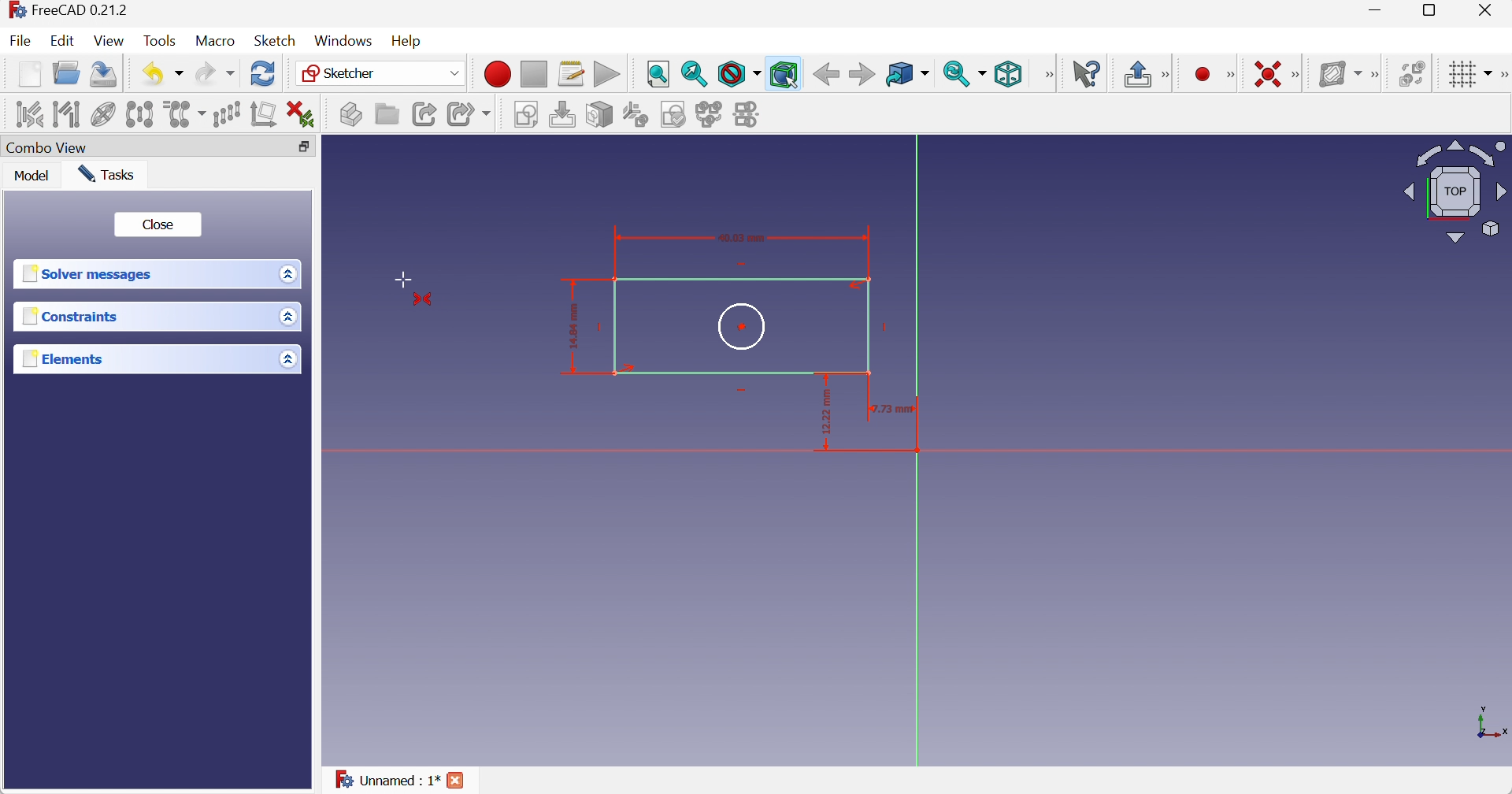  I want to click on Validate sketch, so click(675, 114).